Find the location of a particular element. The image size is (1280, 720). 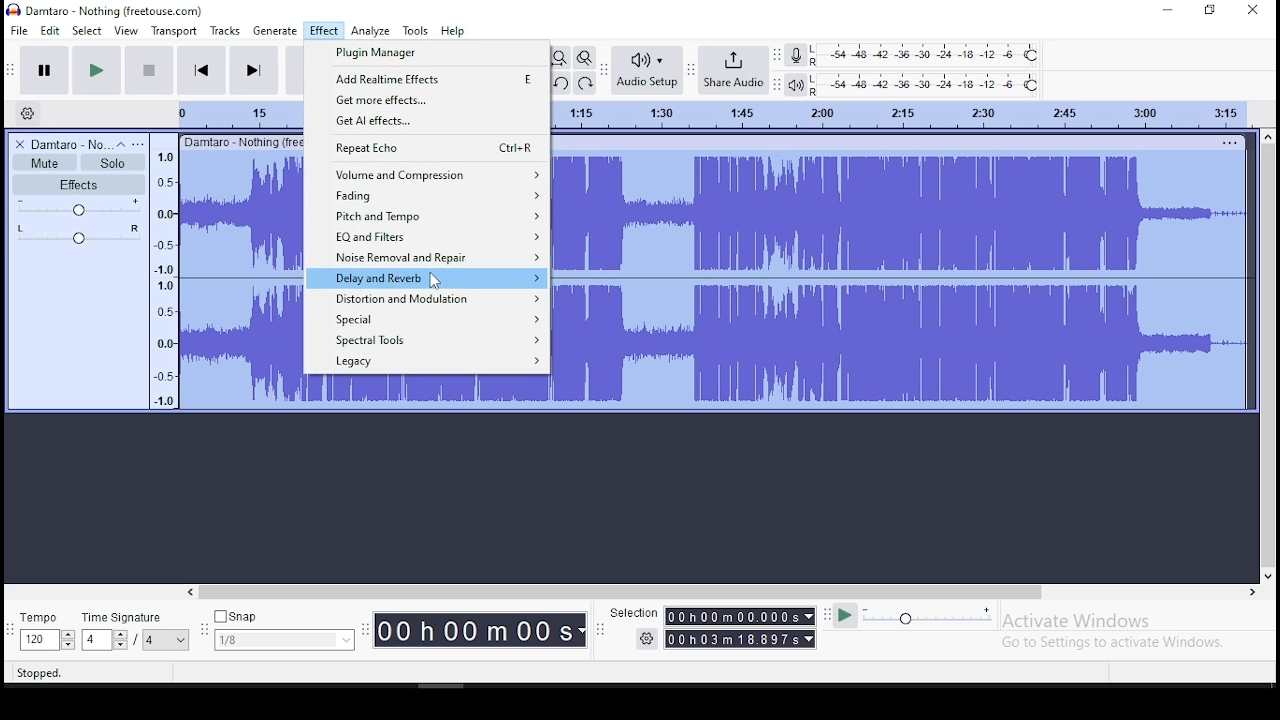

skip to start is located at coordinates (202, 69).